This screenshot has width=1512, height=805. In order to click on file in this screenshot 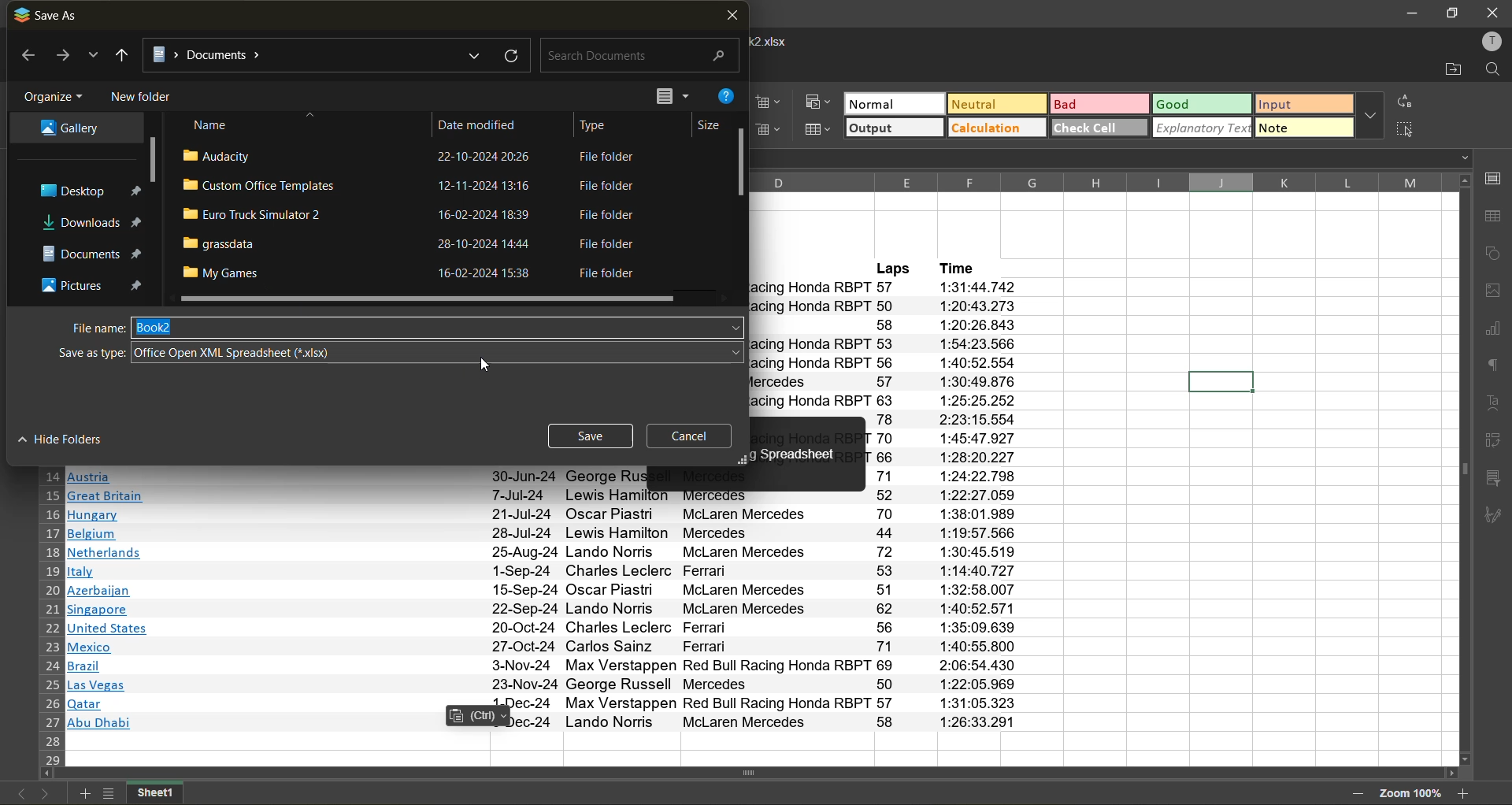, I will do `click(414, 273)`.